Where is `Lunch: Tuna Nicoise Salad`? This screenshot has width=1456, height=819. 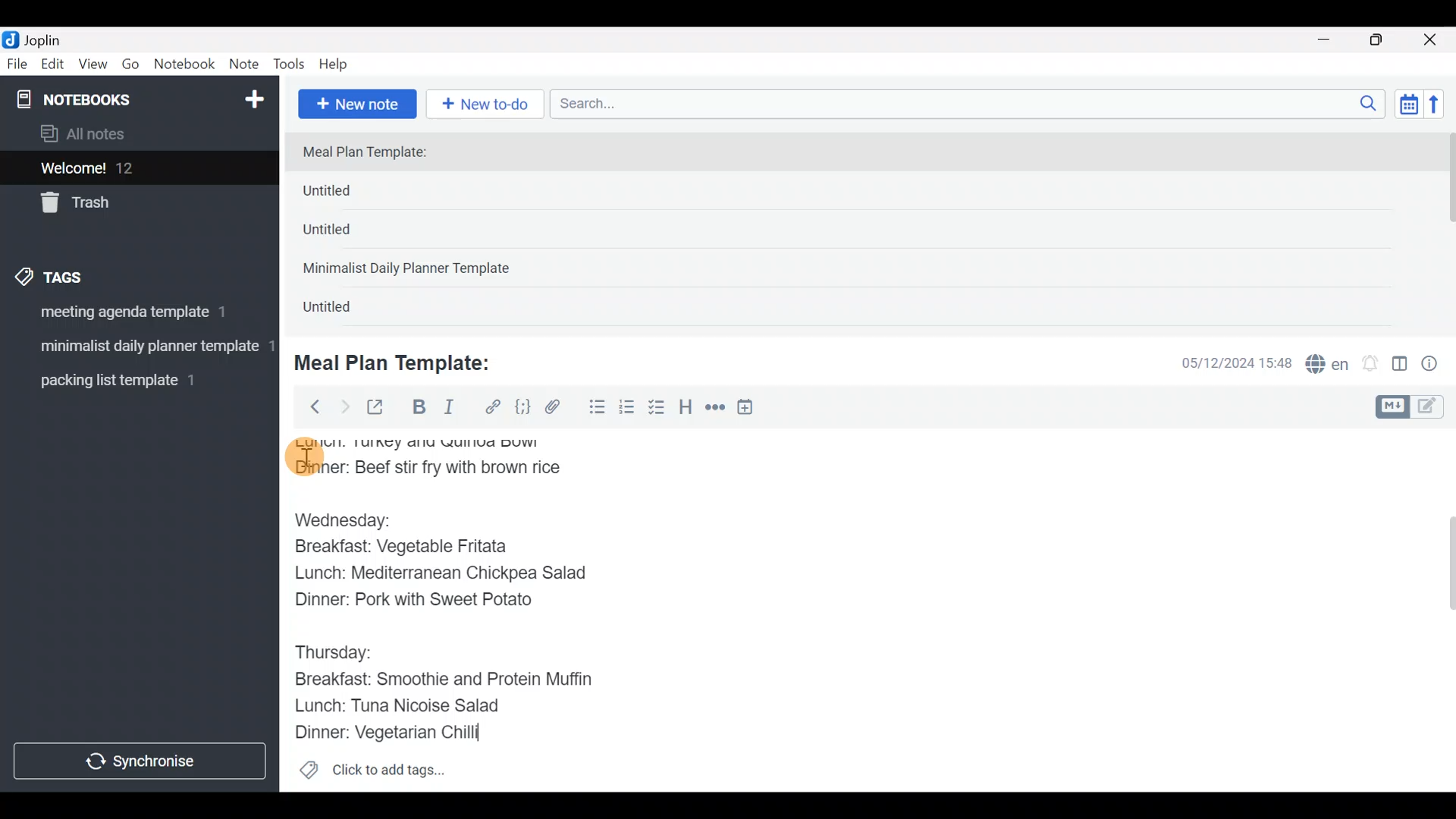
Lunch: Tuna Nicoise Salad is located at coordinates (410, 704).